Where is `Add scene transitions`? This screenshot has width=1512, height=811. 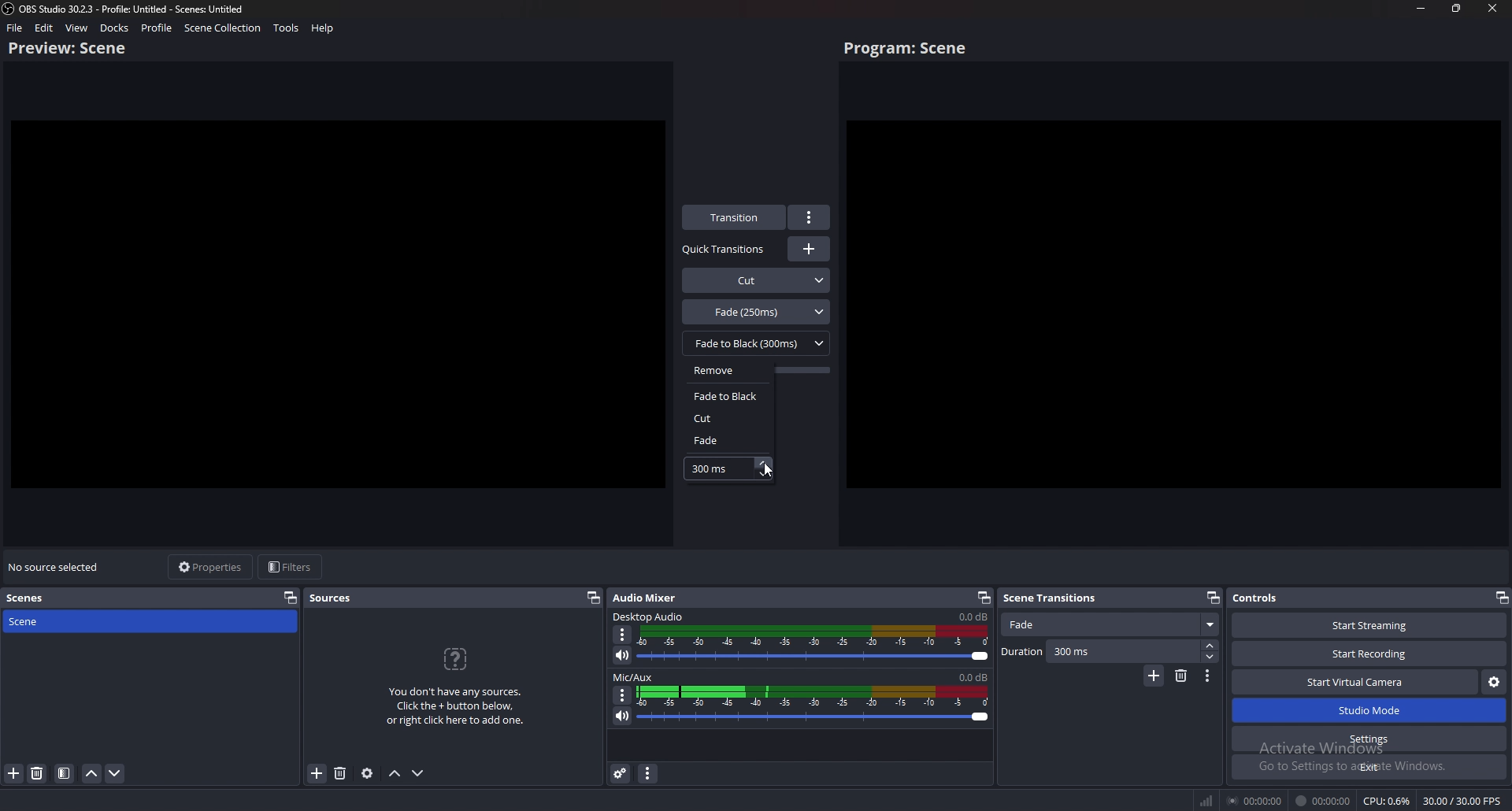
Add scene transitions is located at coordinates (1153, 676).